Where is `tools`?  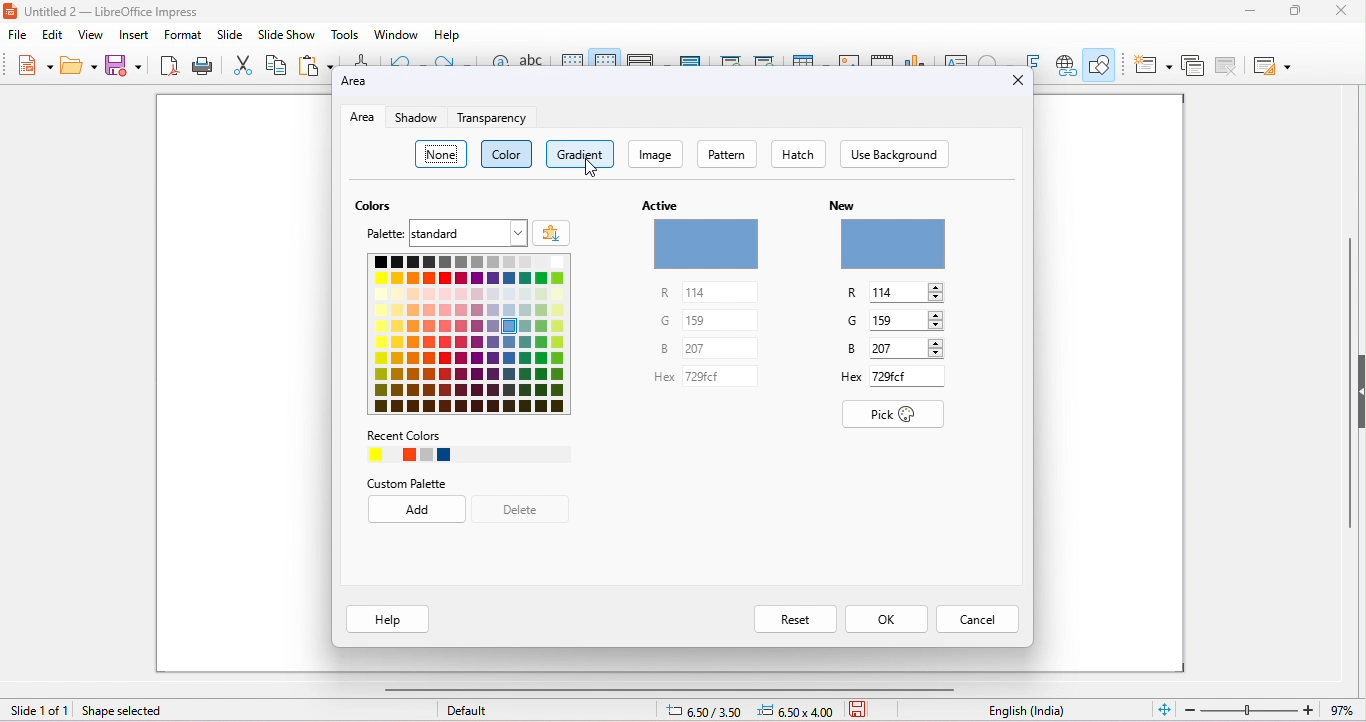
tools is located at coordinates (344, 34).